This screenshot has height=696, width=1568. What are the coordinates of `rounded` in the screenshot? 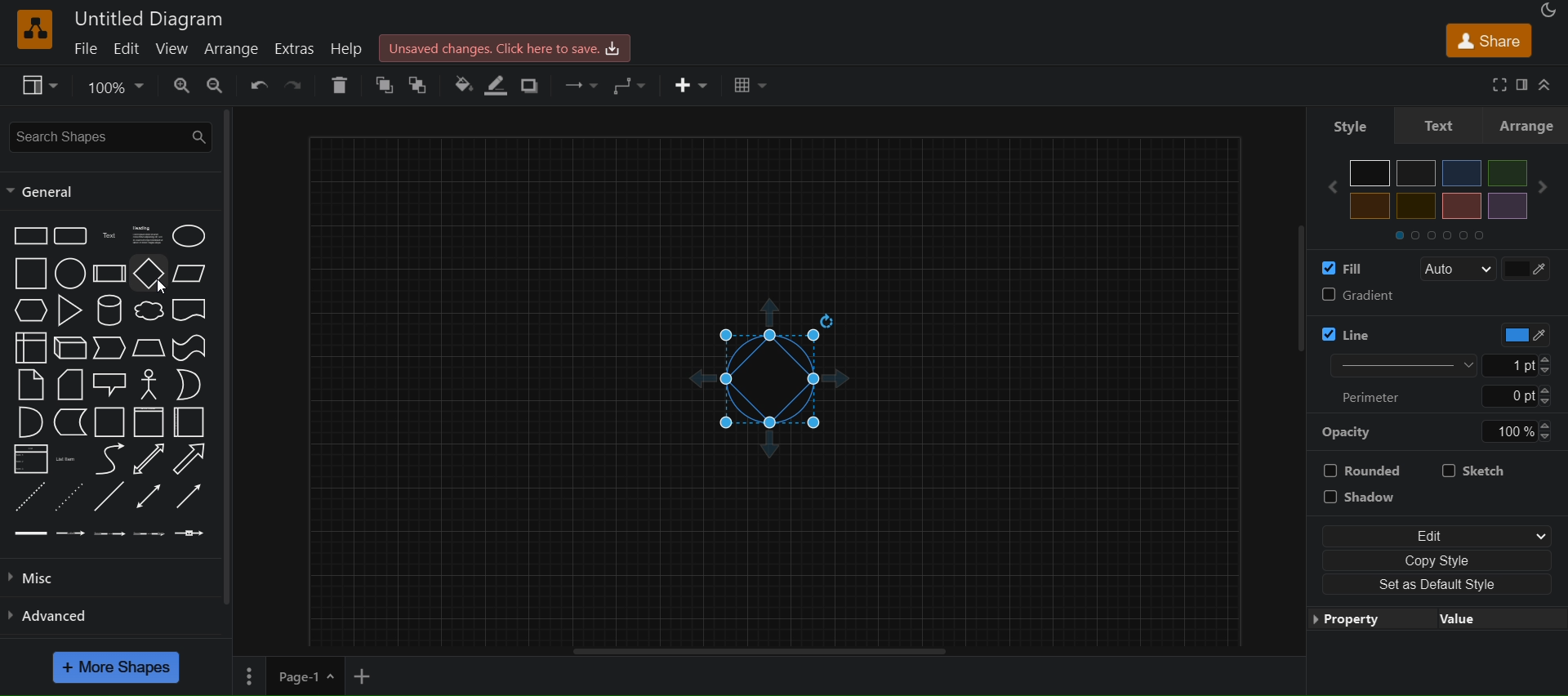 It's located at (1364, 467).